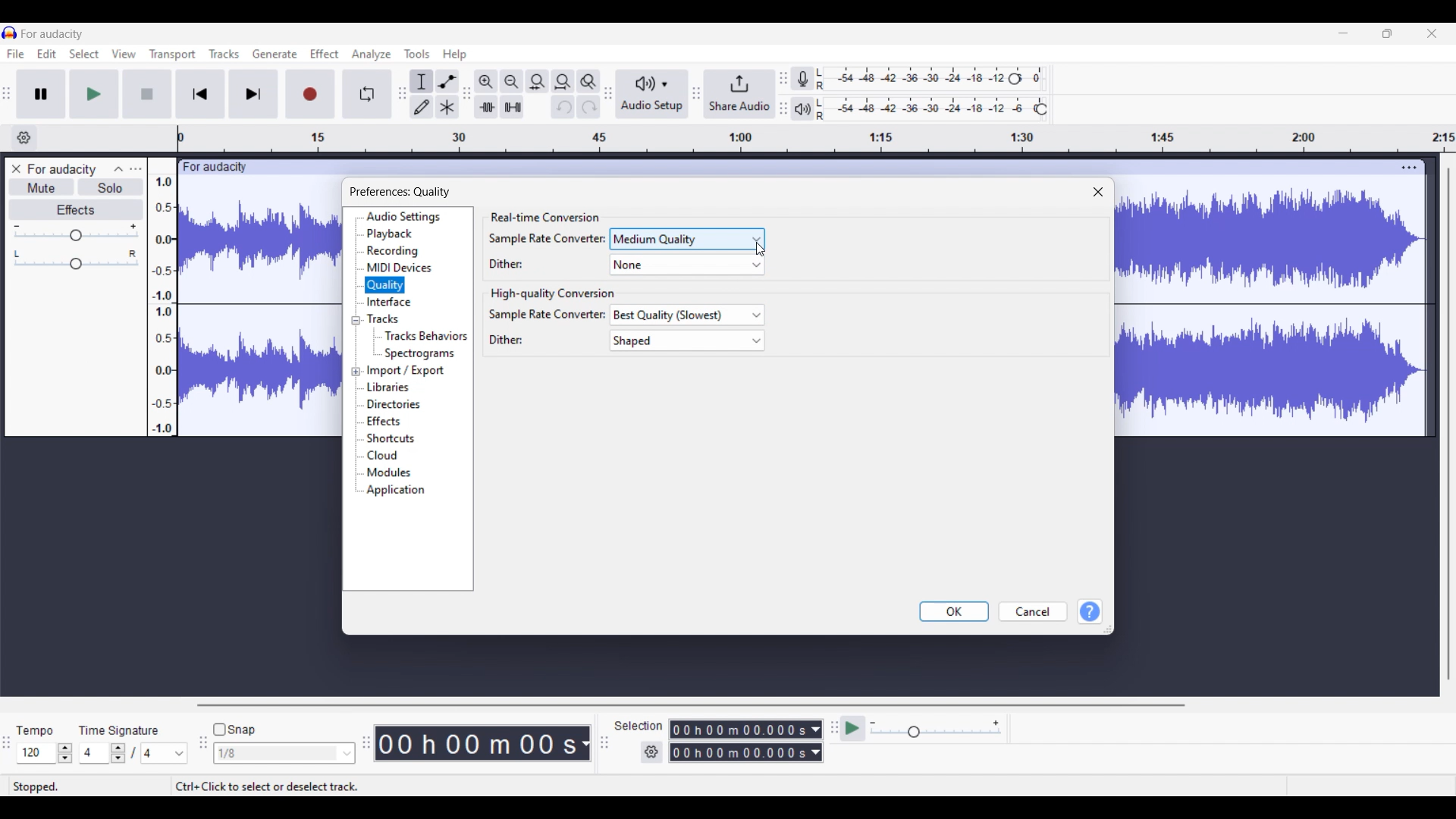 The width and height of the screenshot is (1456, 819). What do you see at coordinates (260, 305) in the screenshot?
I see `current track` at bounding box center [260, 305].